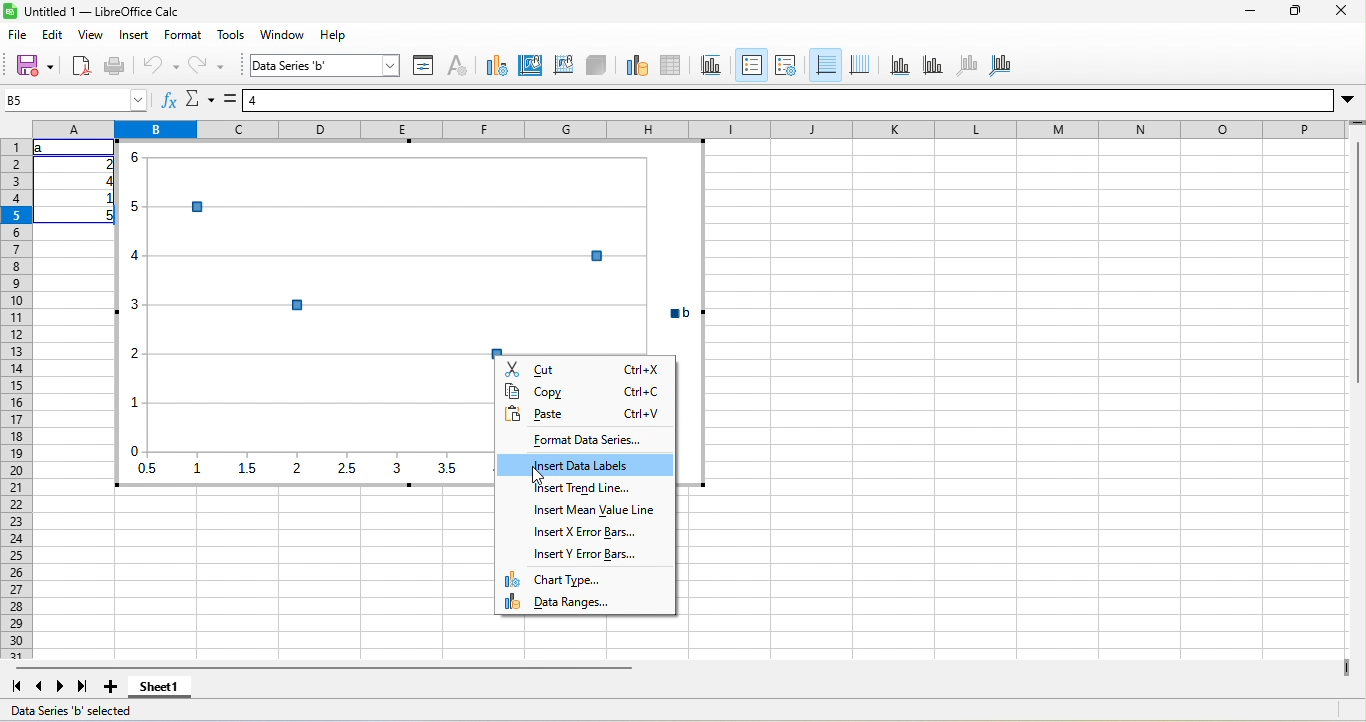  I want to click on insert x error bars, so click(584, 531).